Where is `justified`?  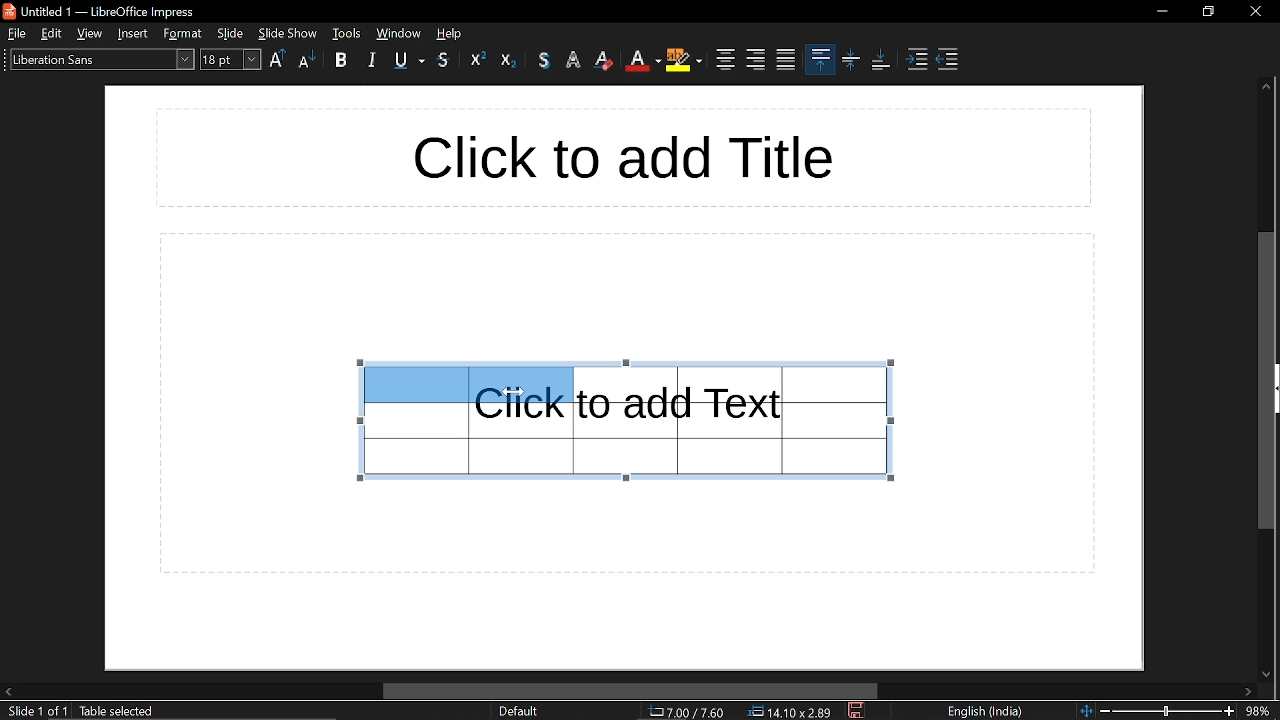 justified is located at coordinates (786, 60).